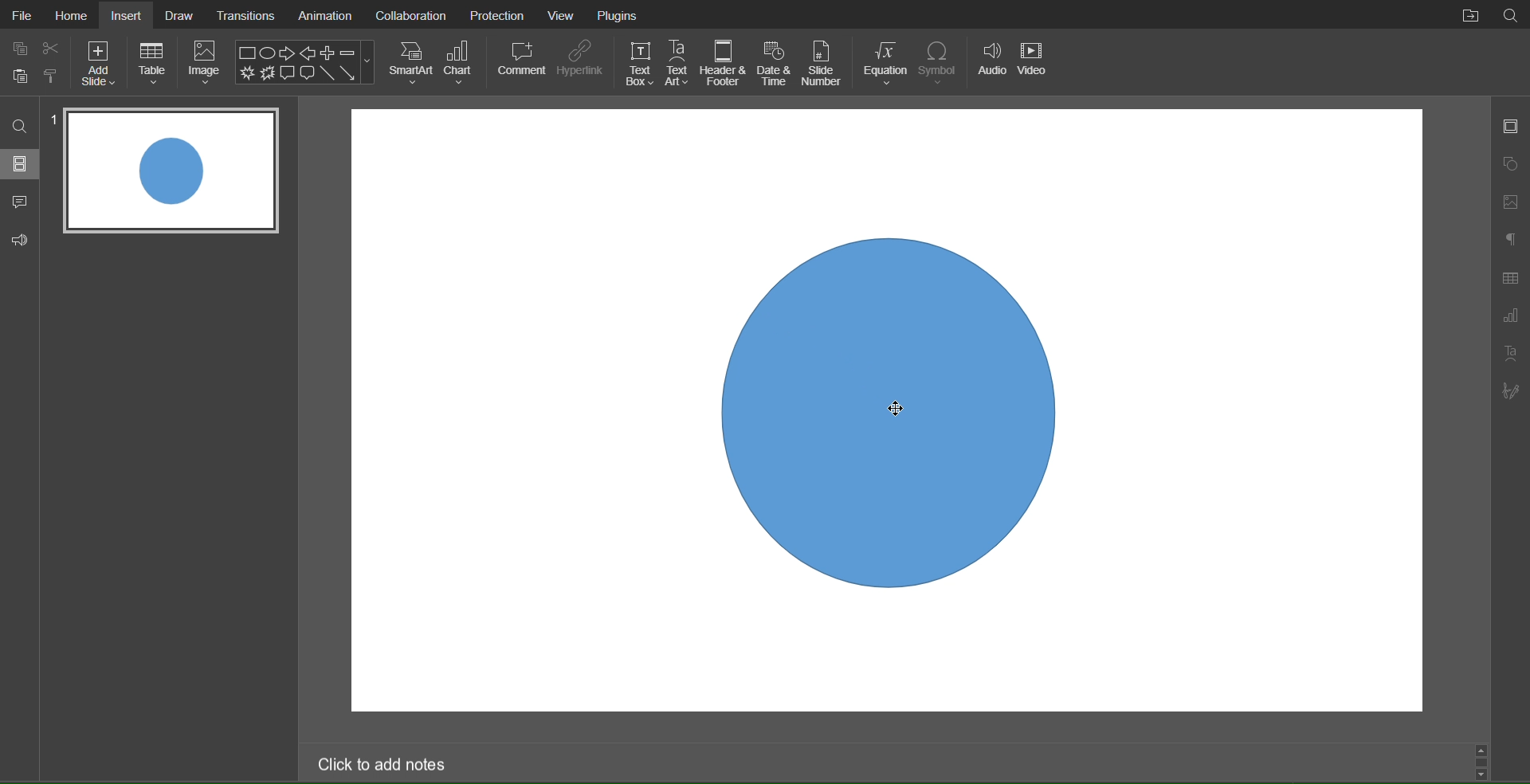 The width and height of the screenshot is (1530, 784). What do you see at coordinates (681, 62) in the screenshot?
I see `Text Art` at bounding box center [681, 62].